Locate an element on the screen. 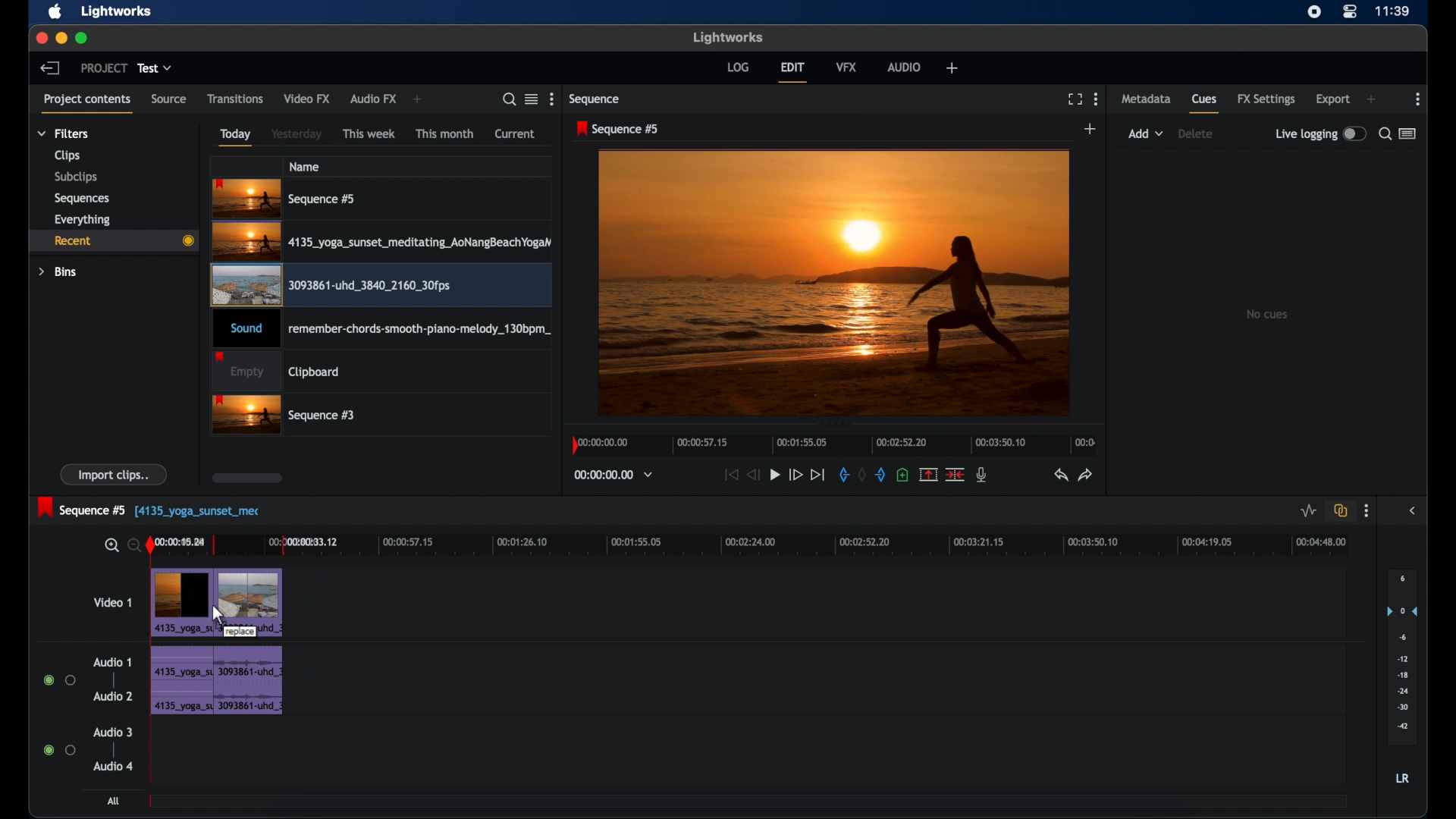 This screenshot has width=1456, height=819. toggle audio levels editing is located at coordinates (1307, 511).